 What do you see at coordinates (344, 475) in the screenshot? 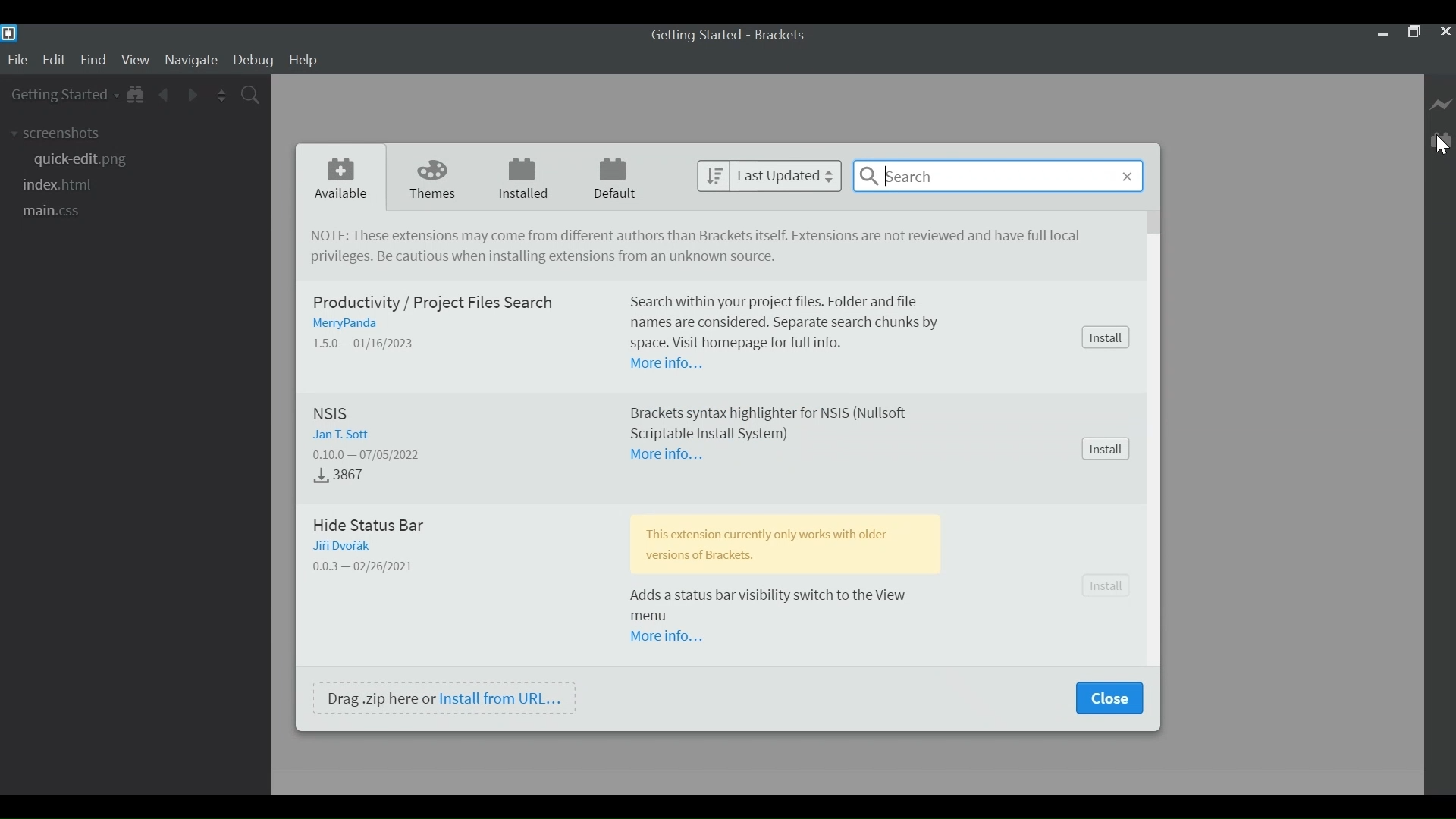
I see `BL 3867` at bounding box center [344, 475].